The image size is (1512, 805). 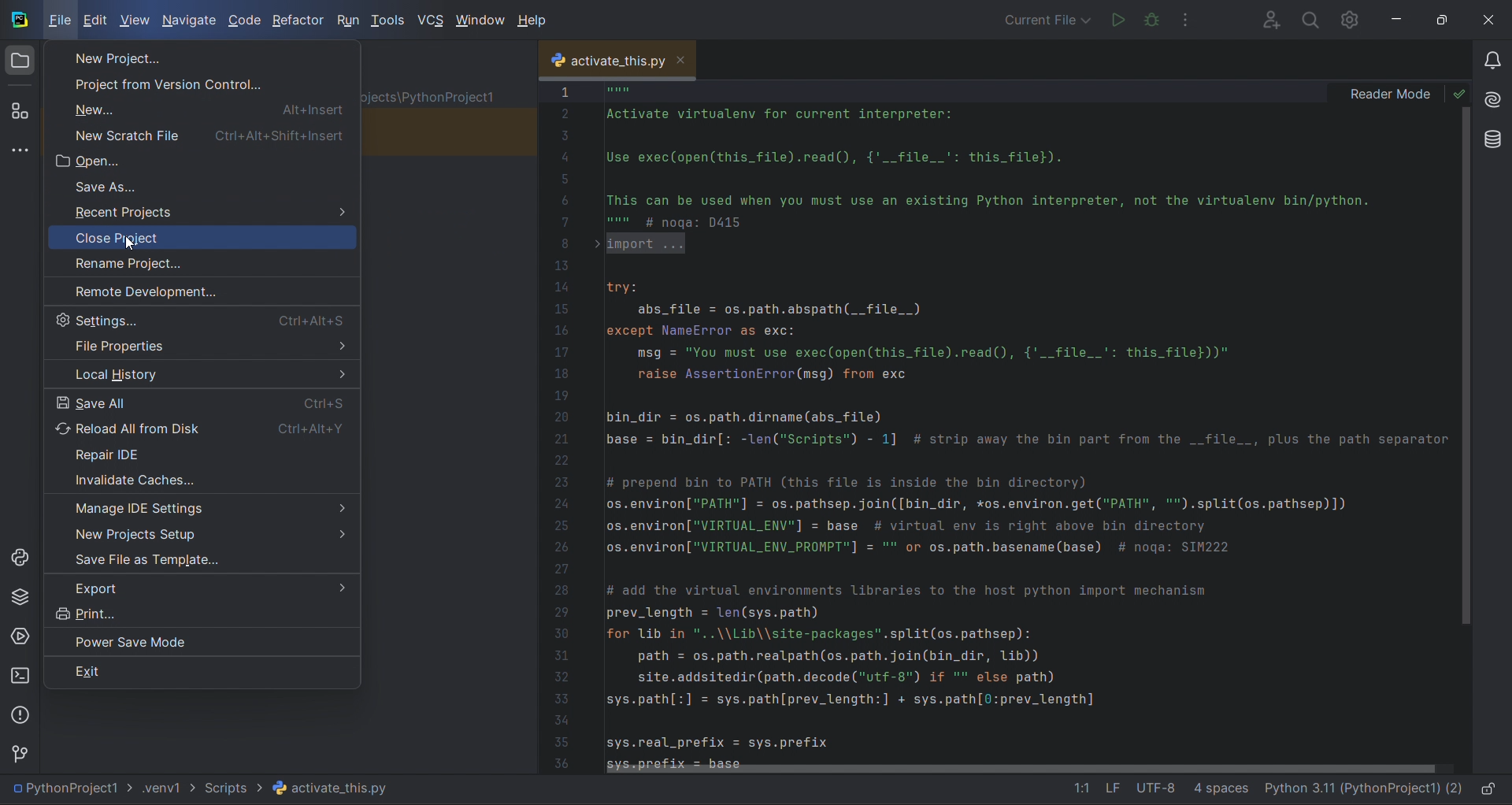 What do you see at coordinates (1496, 139) in the screenshot?
I see `database` at bounding box center [1496, 139].